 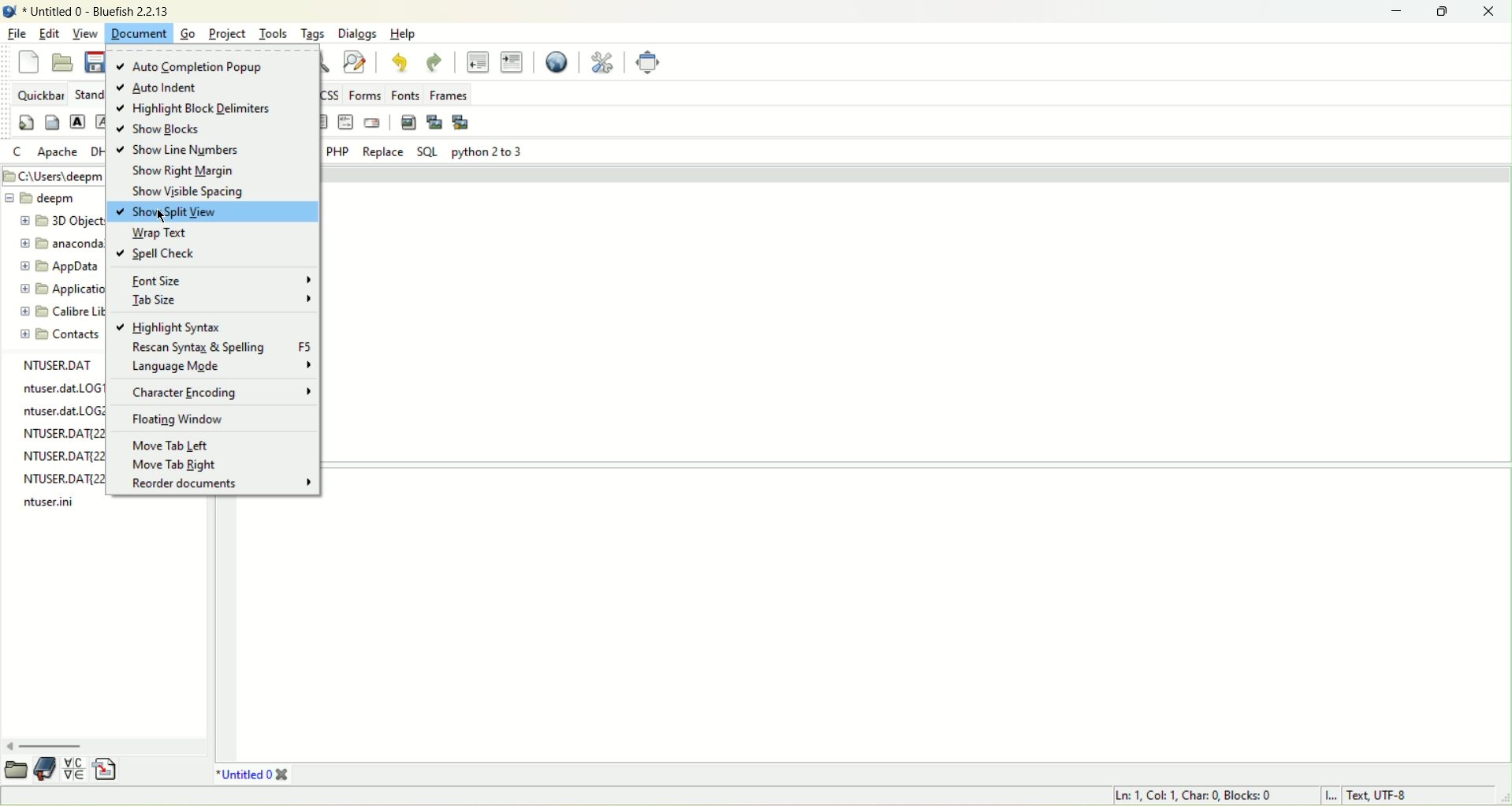 I want to click on auto indent, so click(x=191, y=89).